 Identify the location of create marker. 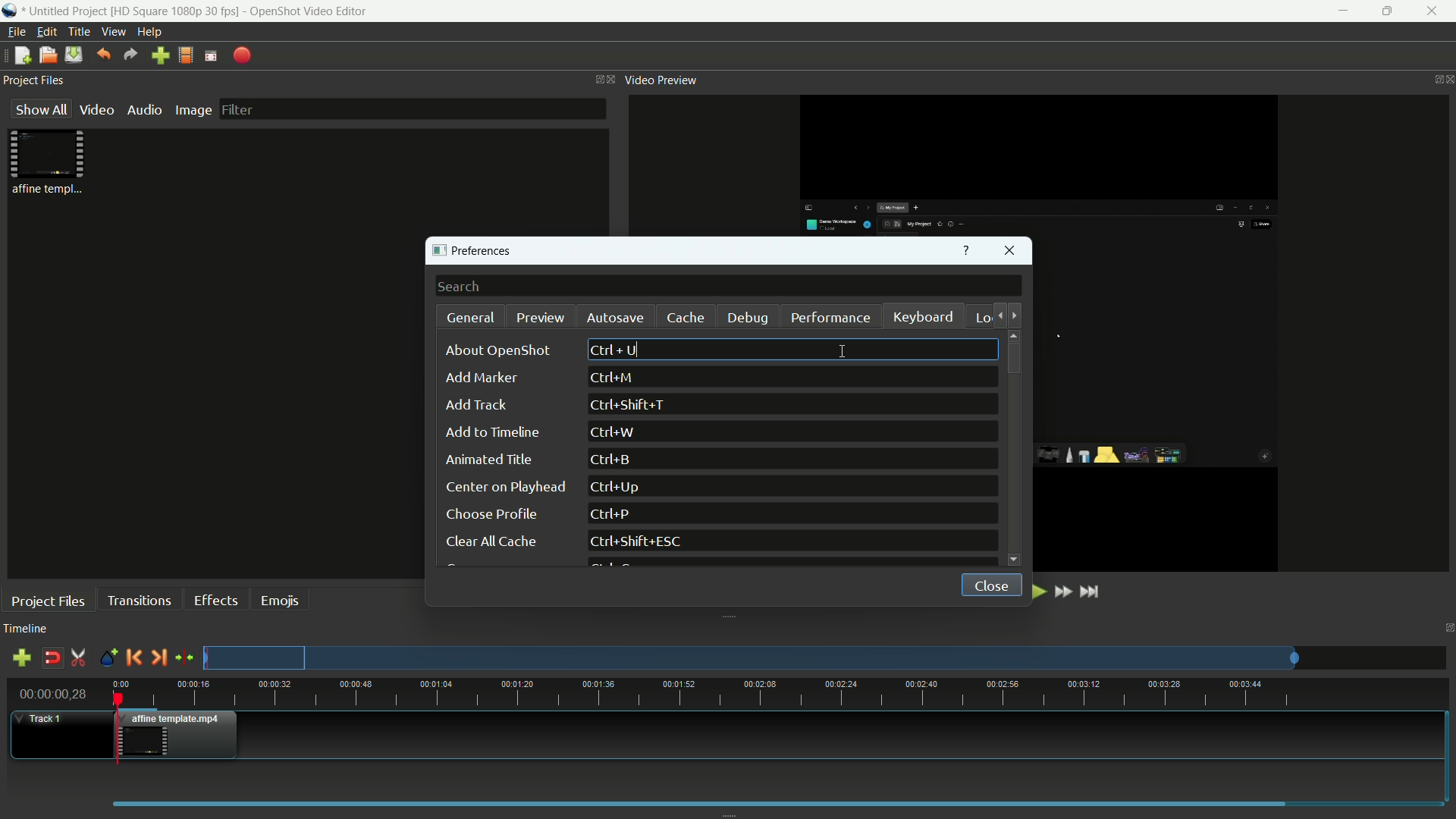
(105, 658).